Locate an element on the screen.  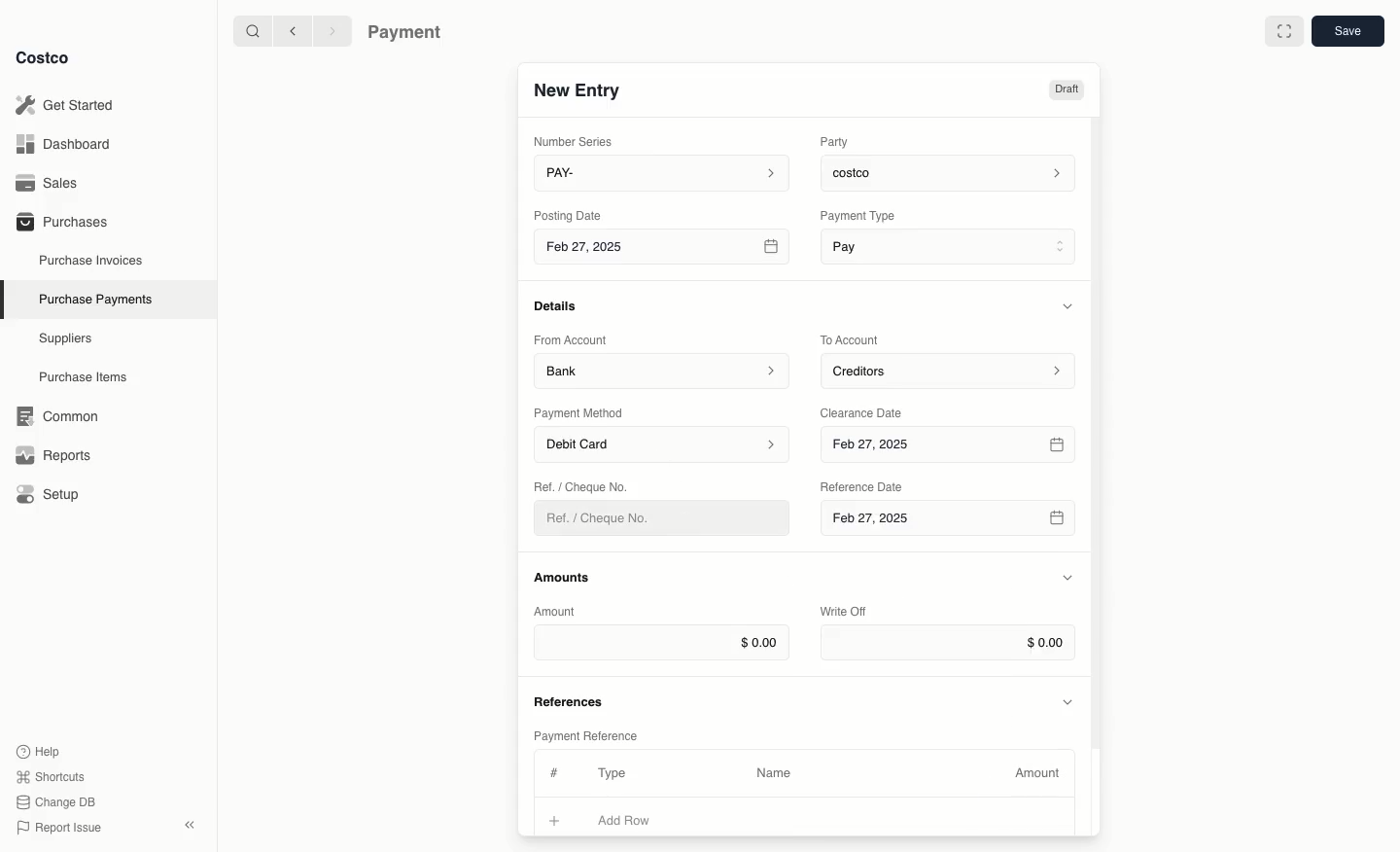
To Account is located at coordinates (852, 339).